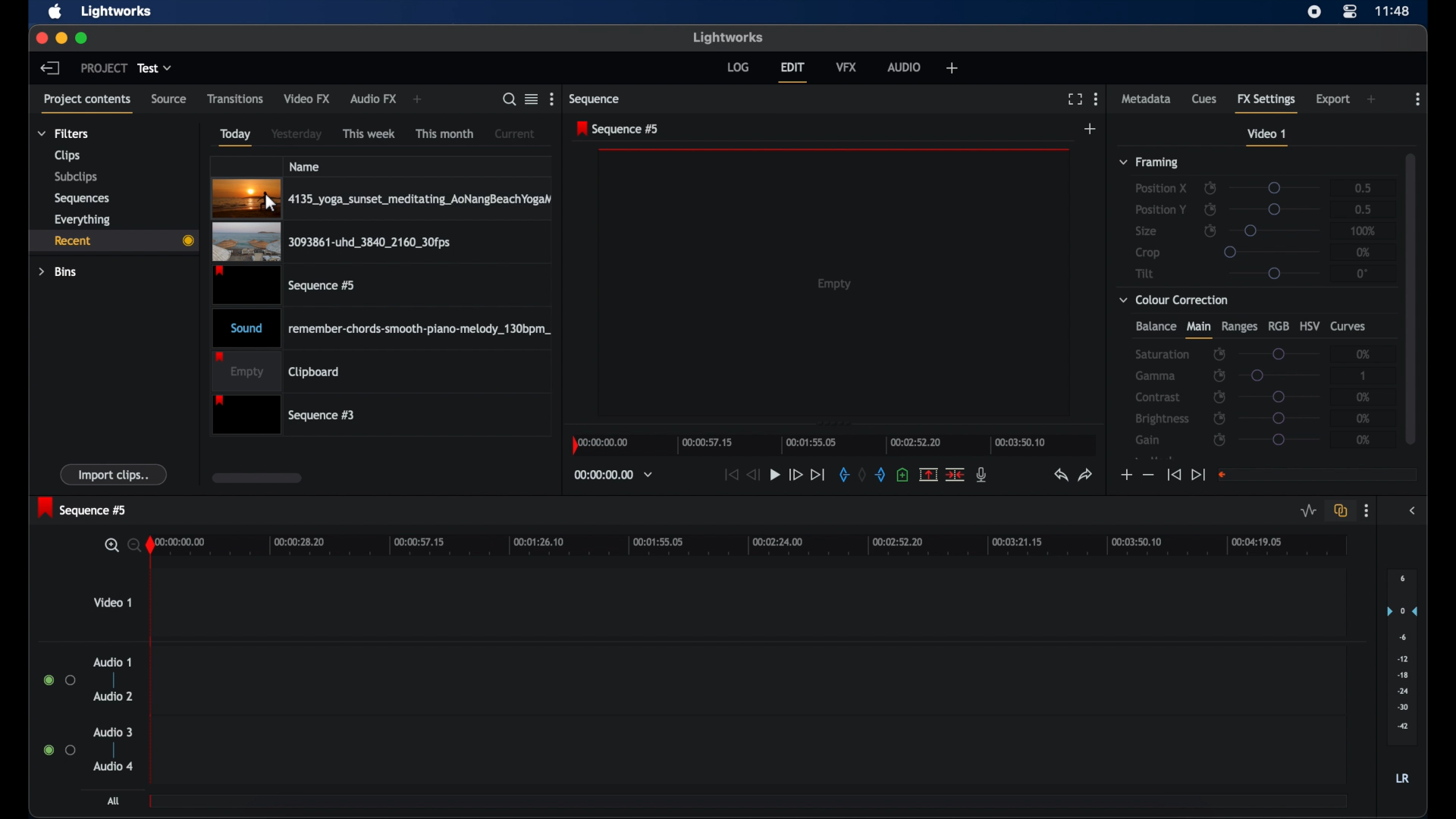 Image resolution: width=1456 pixels, height=819 pixels. Describe the element at coordinates (370, 133) in the screenshot. I see `this week` at that location.